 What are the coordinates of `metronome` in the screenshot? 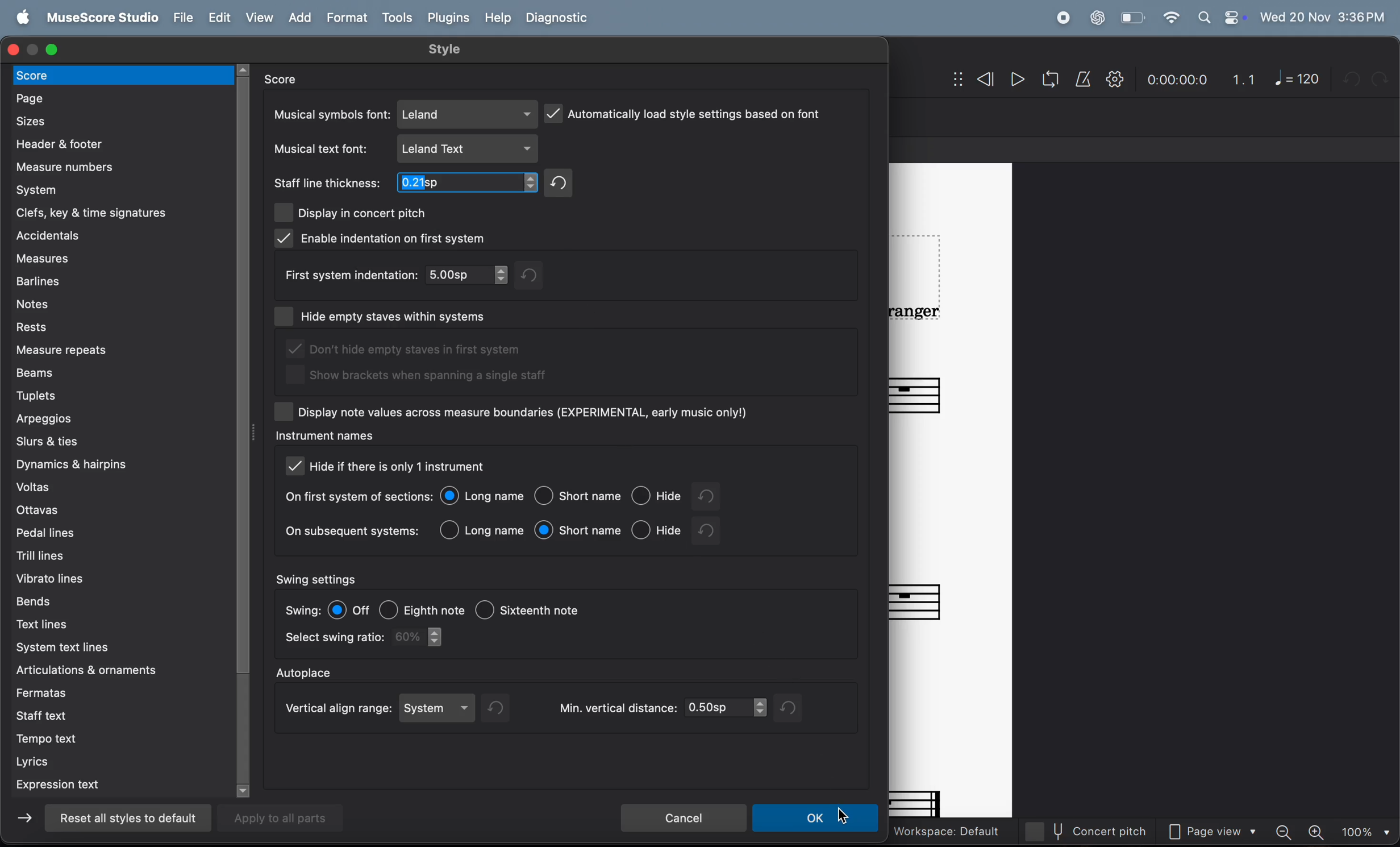 It's located at (1085, 80).